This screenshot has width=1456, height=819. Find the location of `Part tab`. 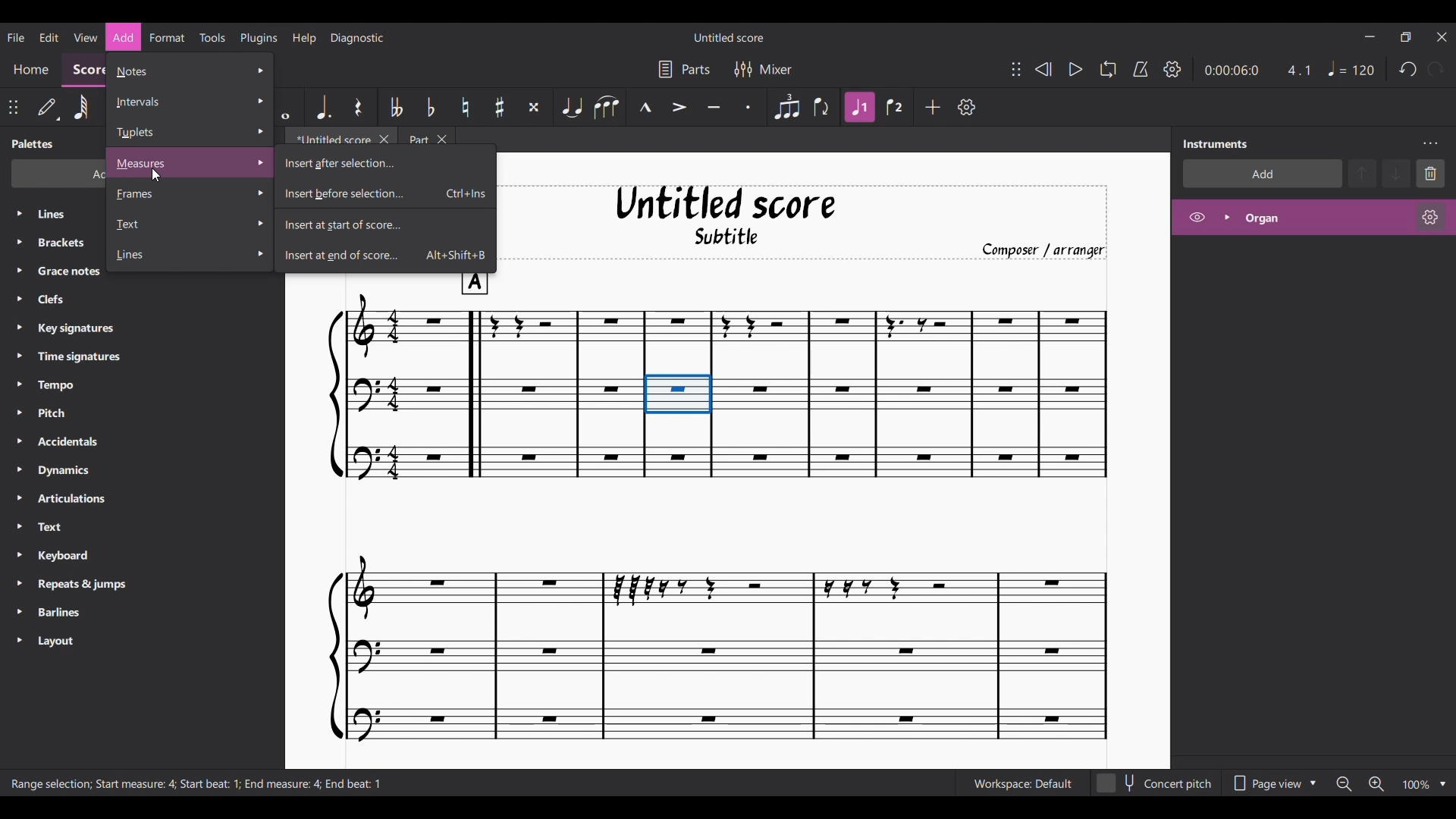

Part tab is located at coordinates (417, 140).